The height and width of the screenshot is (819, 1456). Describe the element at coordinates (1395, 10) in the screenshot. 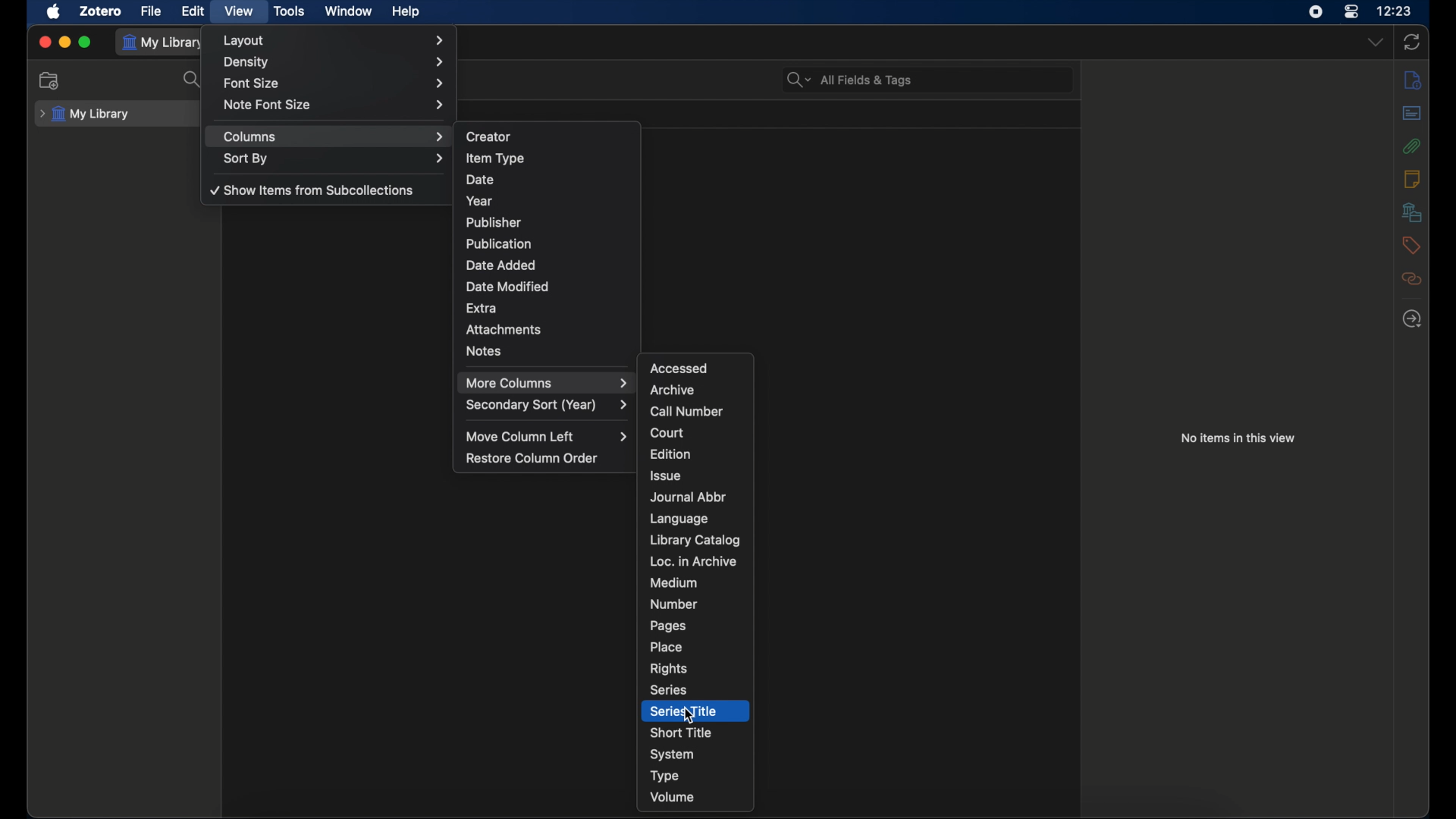

I see `time` at that location.